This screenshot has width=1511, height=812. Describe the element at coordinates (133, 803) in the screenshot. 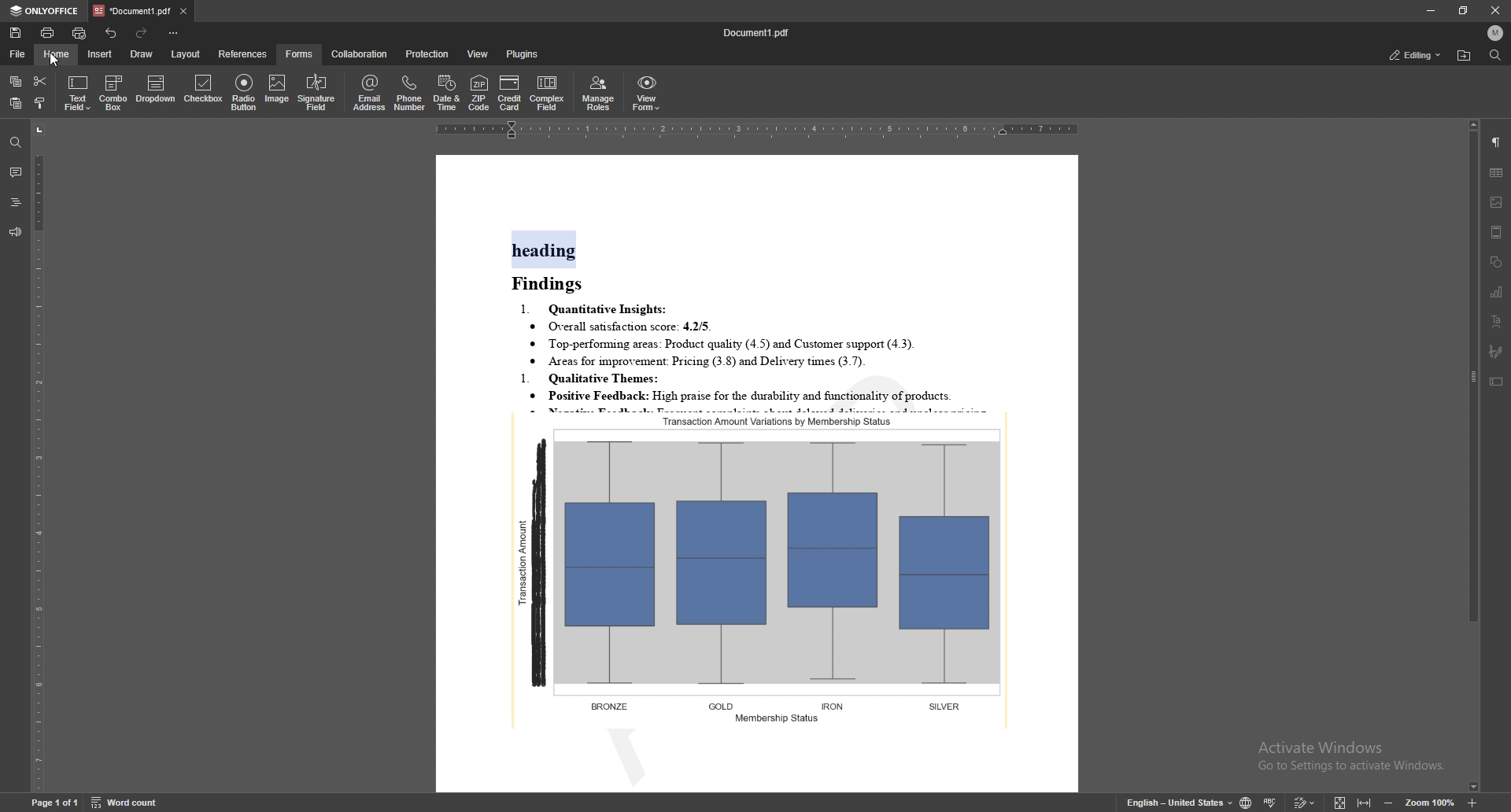

I see `word count` at that location.